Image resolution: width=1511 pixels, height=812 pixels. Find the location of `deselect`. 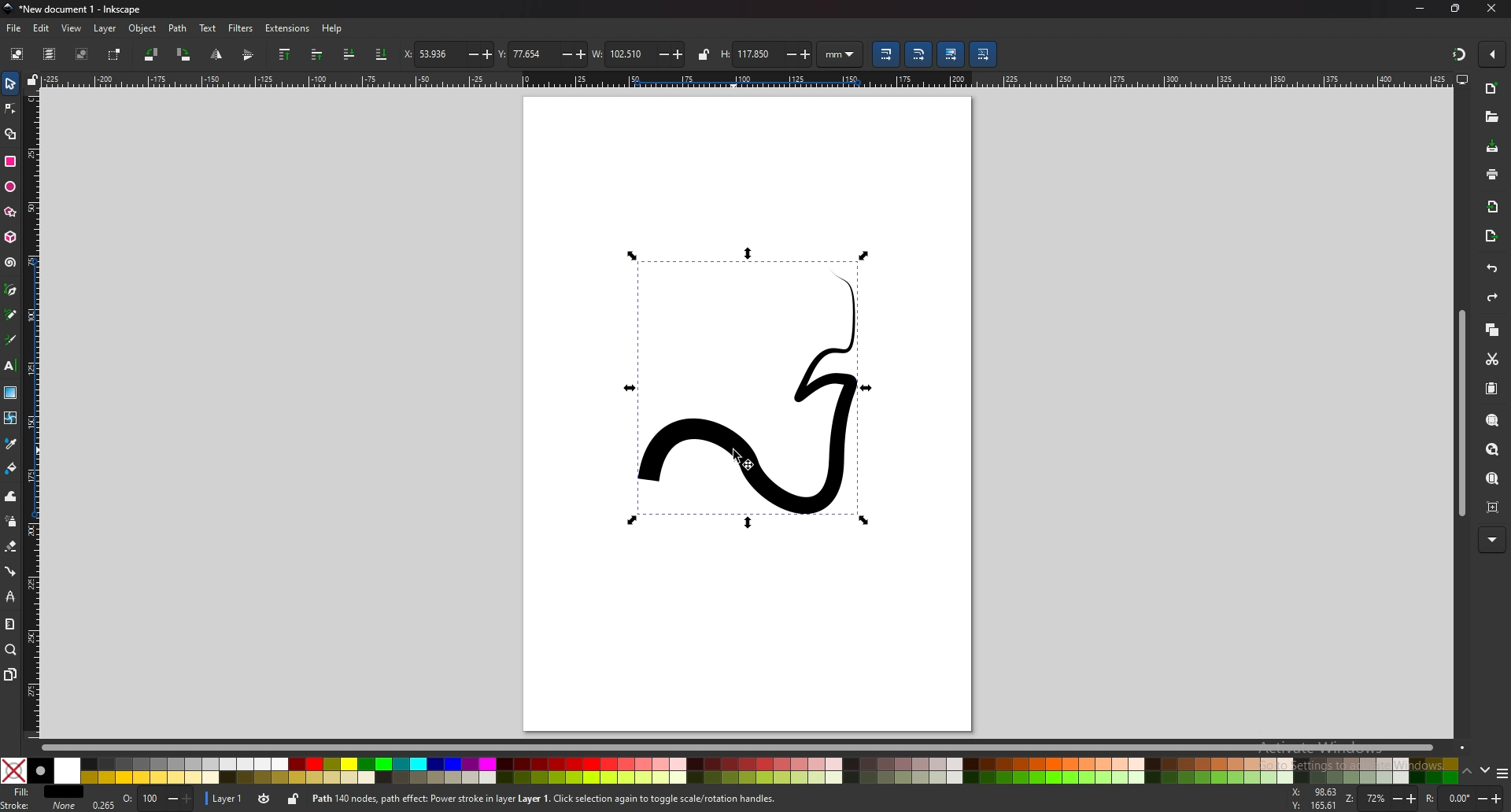

deselect is located at coordinates (83, 54).